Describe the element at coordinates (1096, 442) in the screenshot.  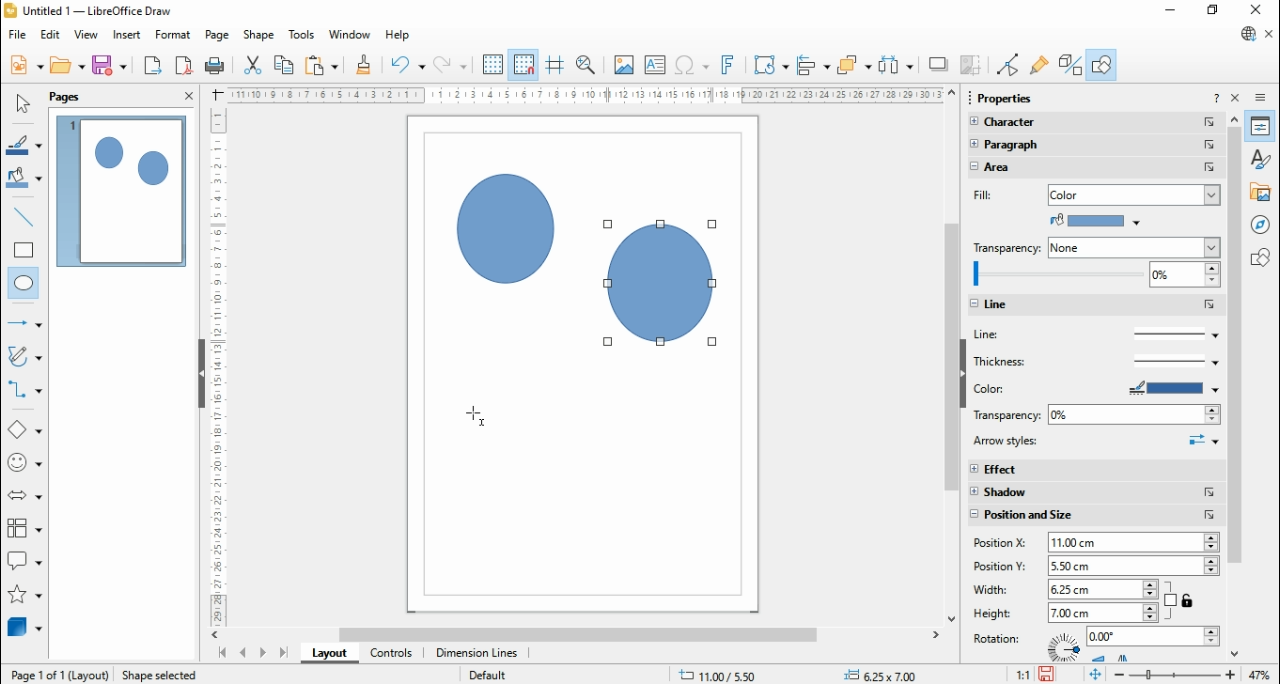
I see `arrow styles` at that location.